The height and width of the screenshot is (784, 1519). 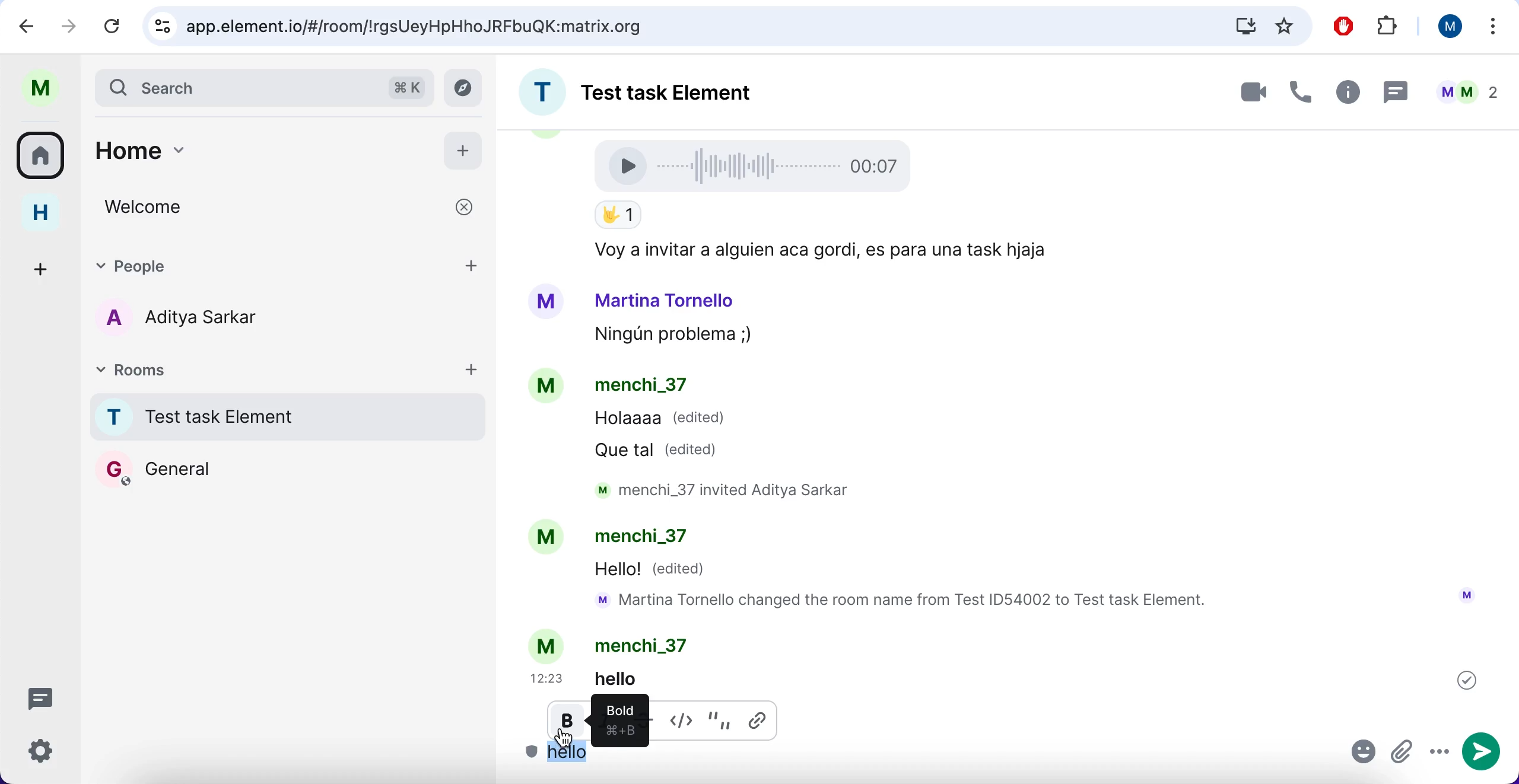 What do you see at coordinates (1252, 91) in the screenshot?
I see `videocall` at bounding box center [1252, 91].